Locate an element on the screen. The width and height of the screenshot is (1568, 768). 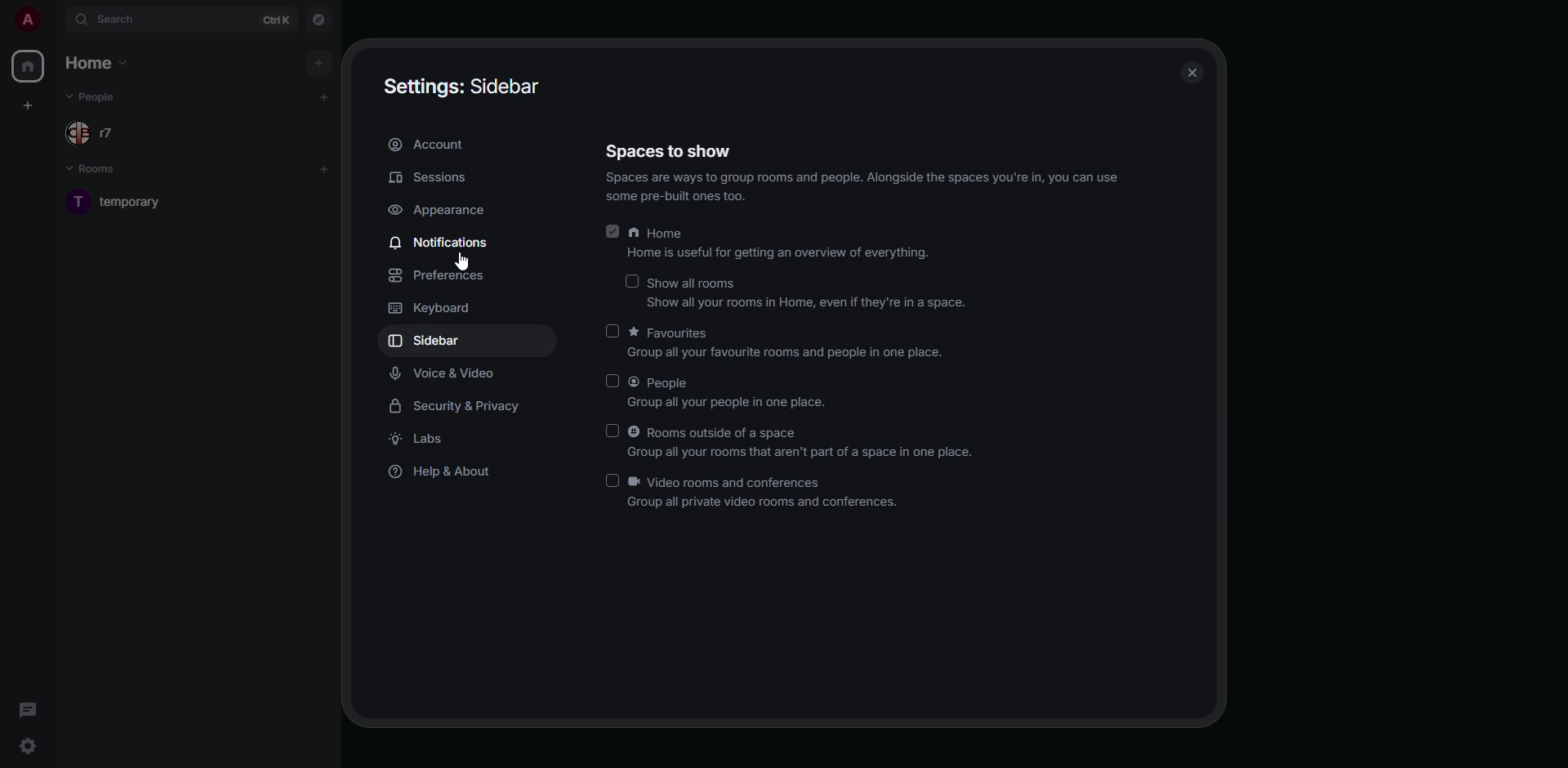
home is located at coordinates (26, 66).